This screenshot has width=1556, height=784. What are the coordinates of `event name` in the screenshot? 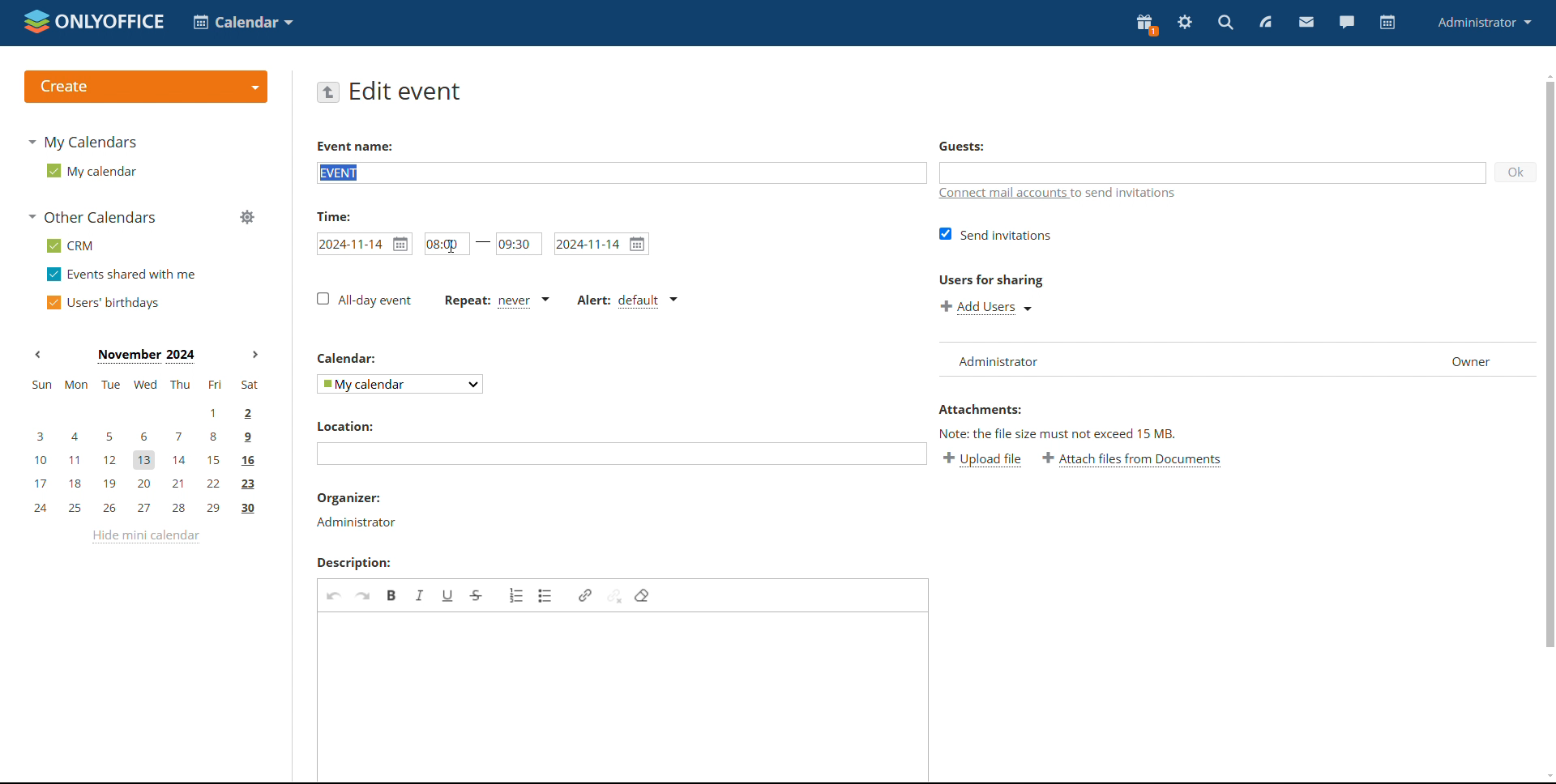 It's located at (354, 146).